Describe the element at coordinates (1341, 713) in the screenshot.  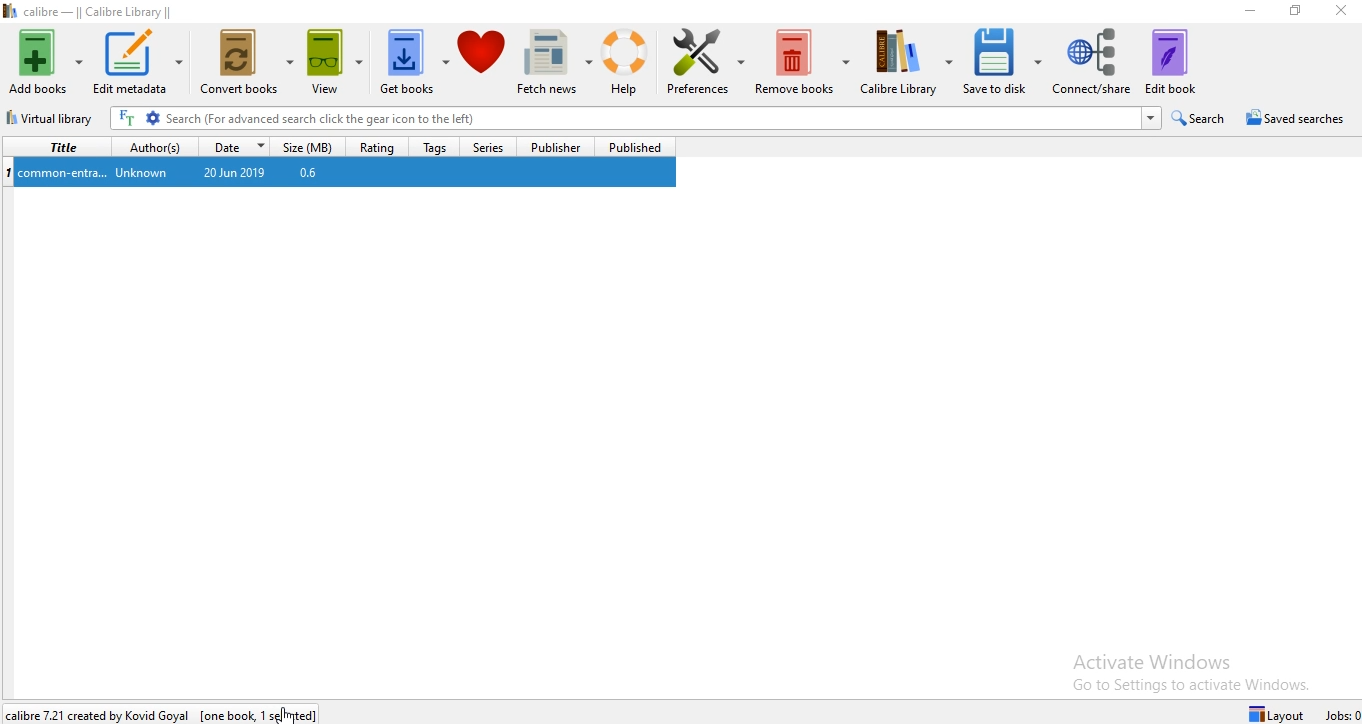
I see `Jobs: 0` at that location.